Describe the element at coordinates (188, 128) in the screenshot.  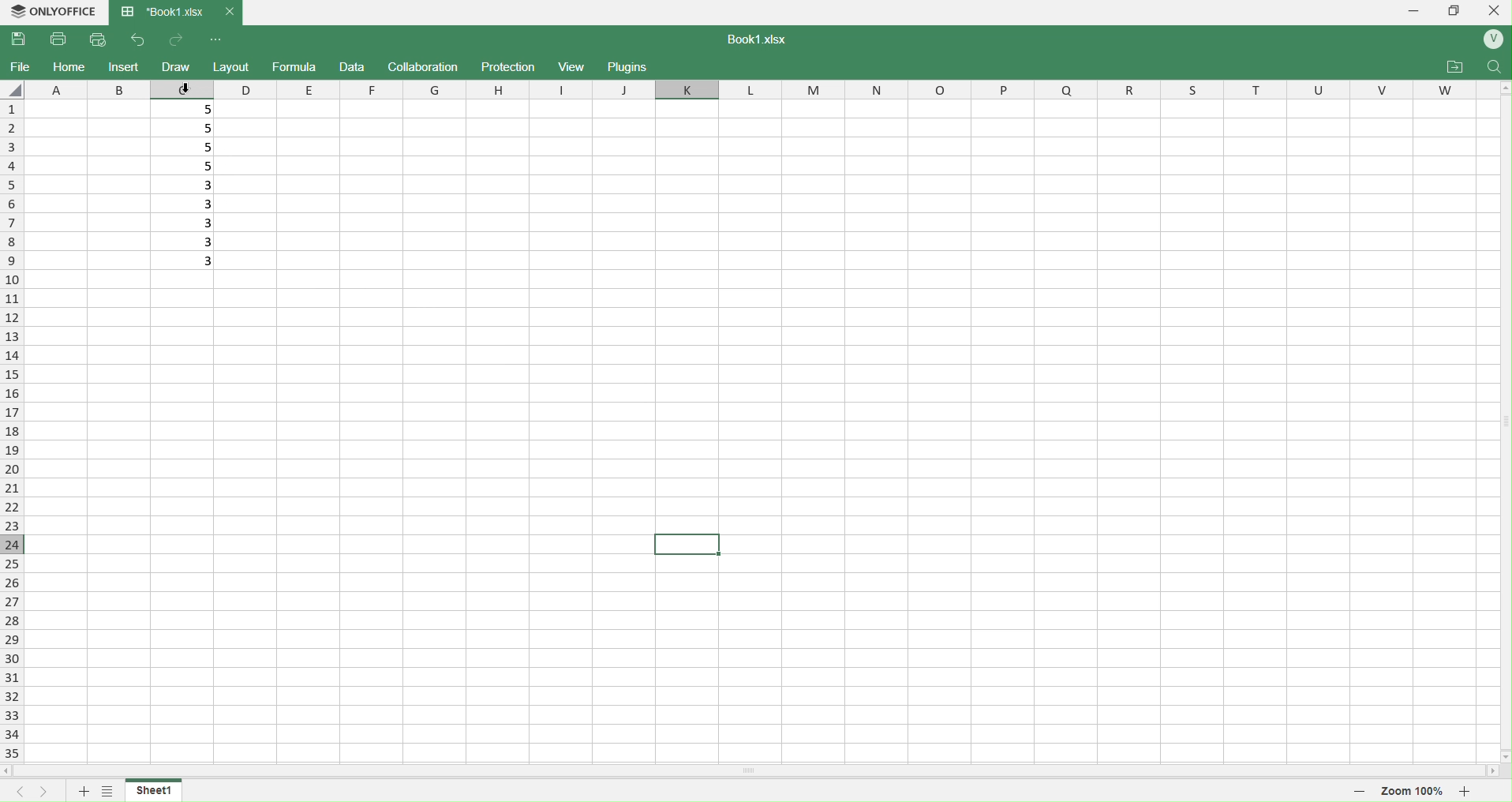
I see `5` at that location.